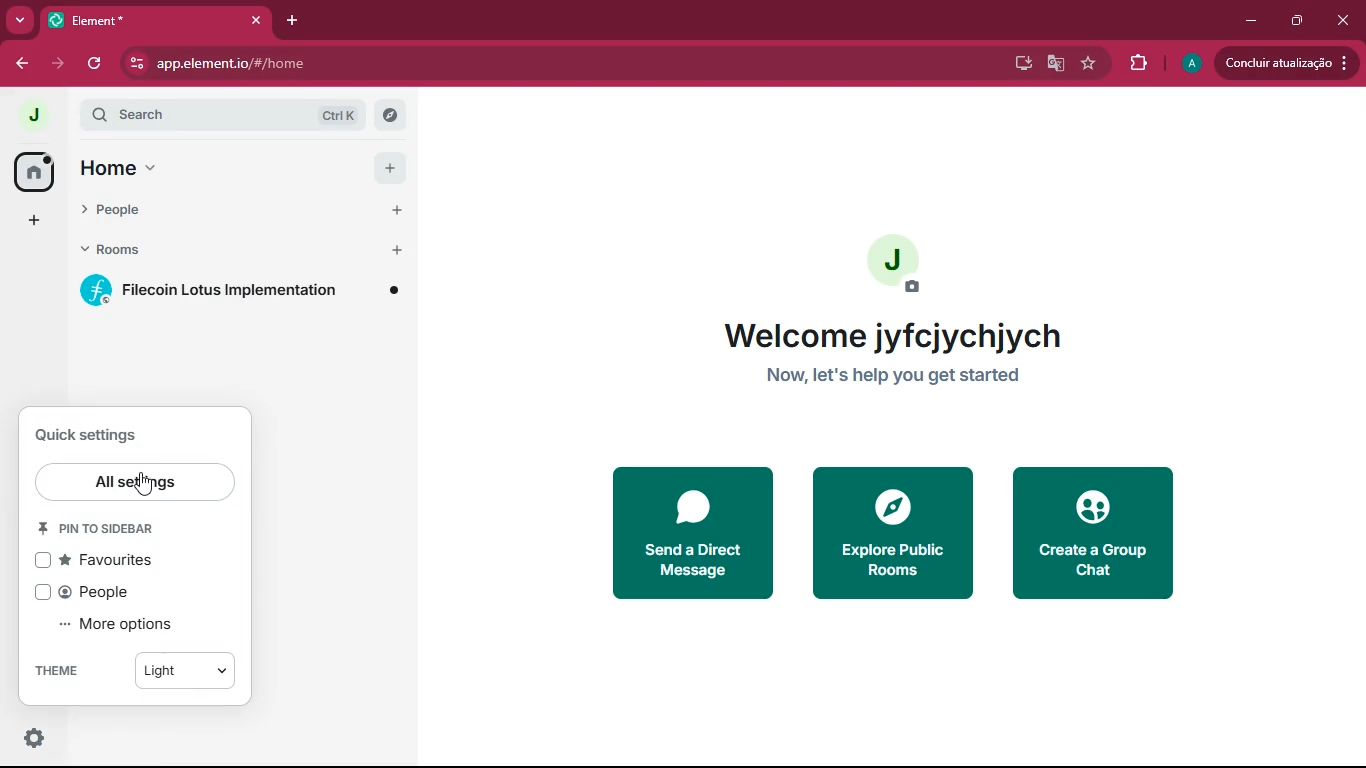 This screenshot has width=1366, height=768. I want to click on filecoin lotus implementation, so click(242, 291).